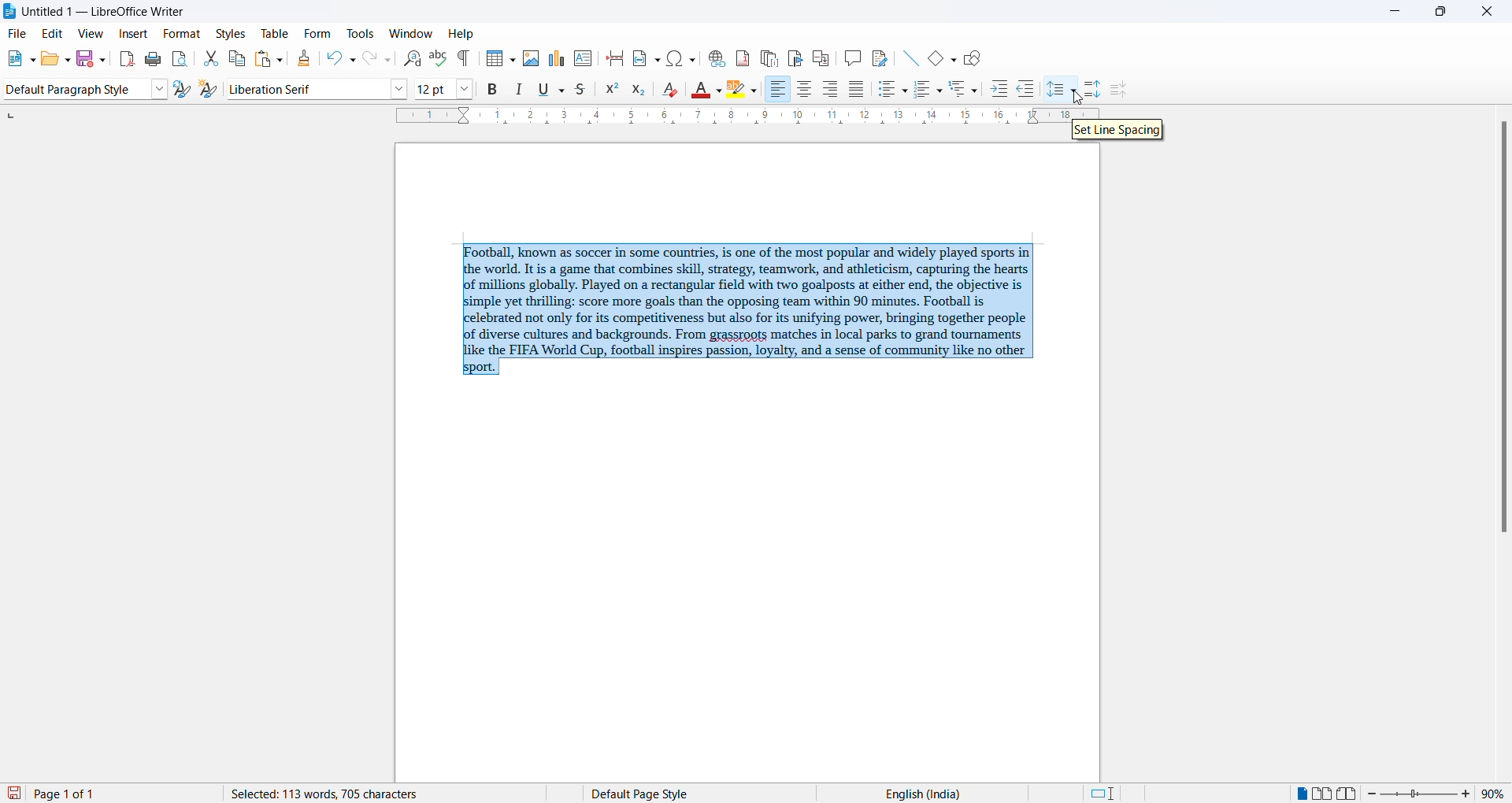  What do you see at coordinates (880, 58) in the screenshot?
I see `show track changes functions` at bounding box center [880, 58].